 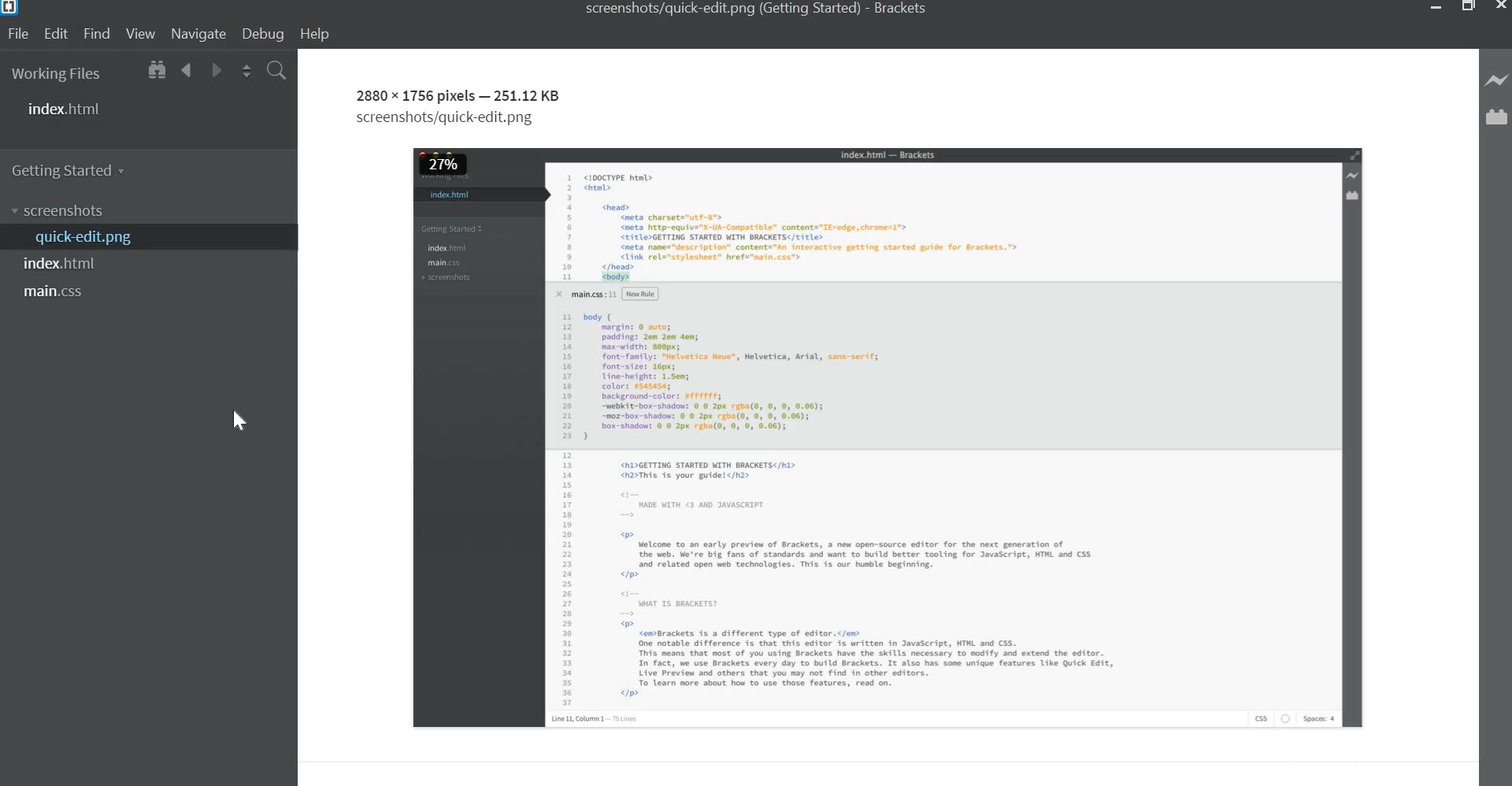 I want to click on Navigate Forward, so click(x=214, y=71).